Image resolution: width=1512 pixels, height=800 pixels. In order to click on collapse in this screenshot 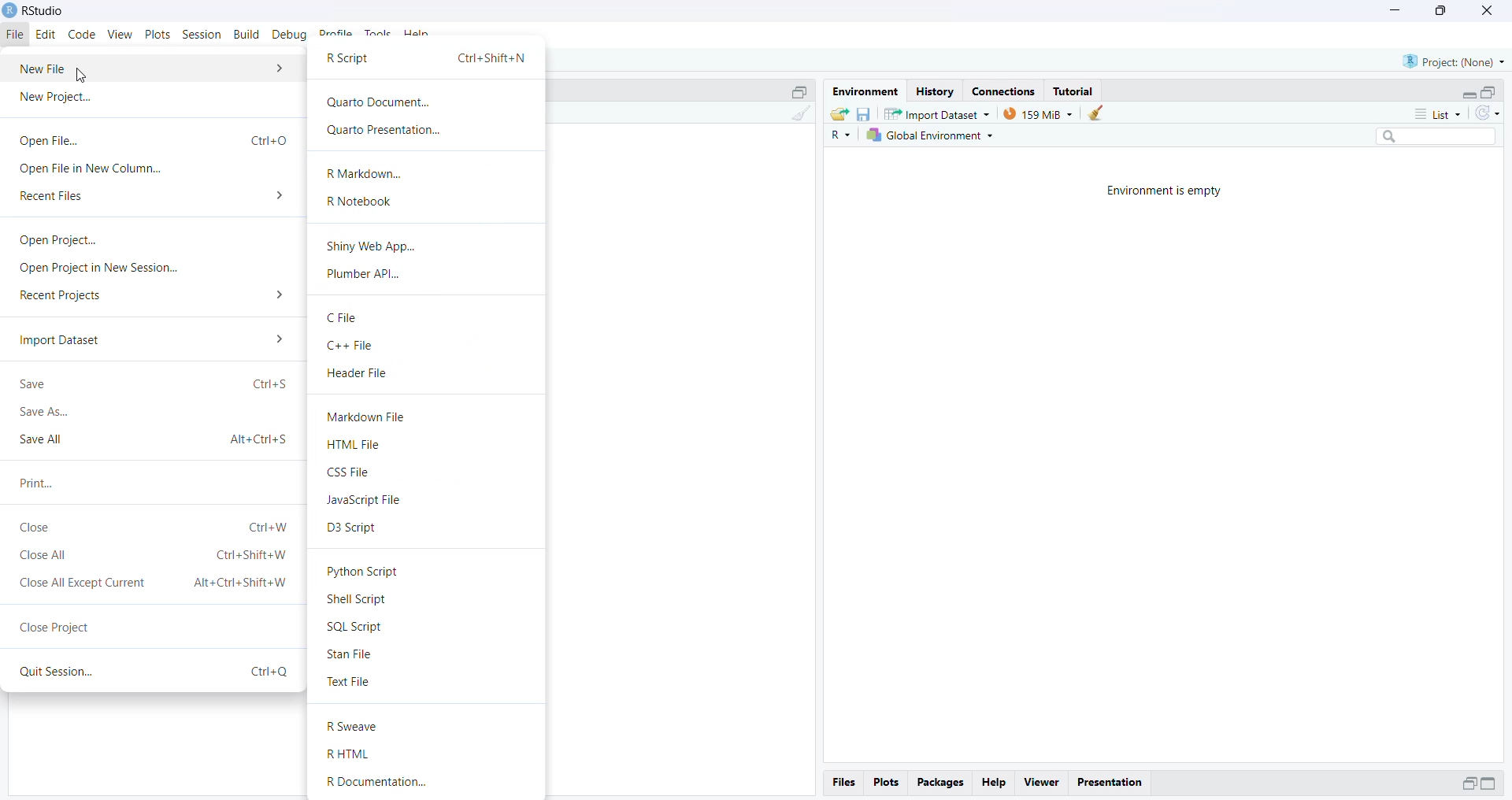, I will do `click(798, 91)`.